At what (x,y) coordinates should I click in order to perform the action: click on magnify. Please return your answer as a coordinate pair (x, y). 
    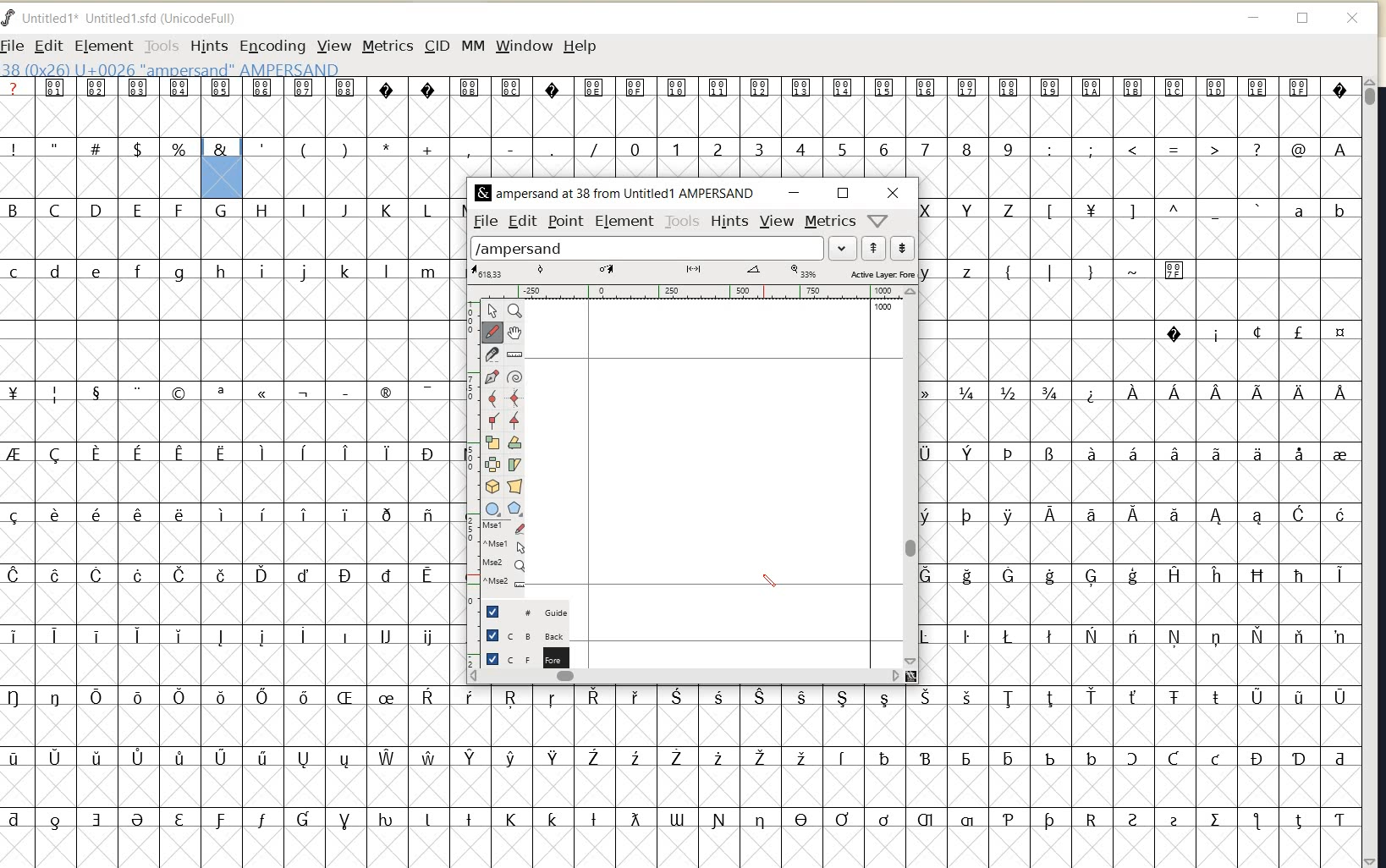
    Looking at the image, I should click on (516, 311).